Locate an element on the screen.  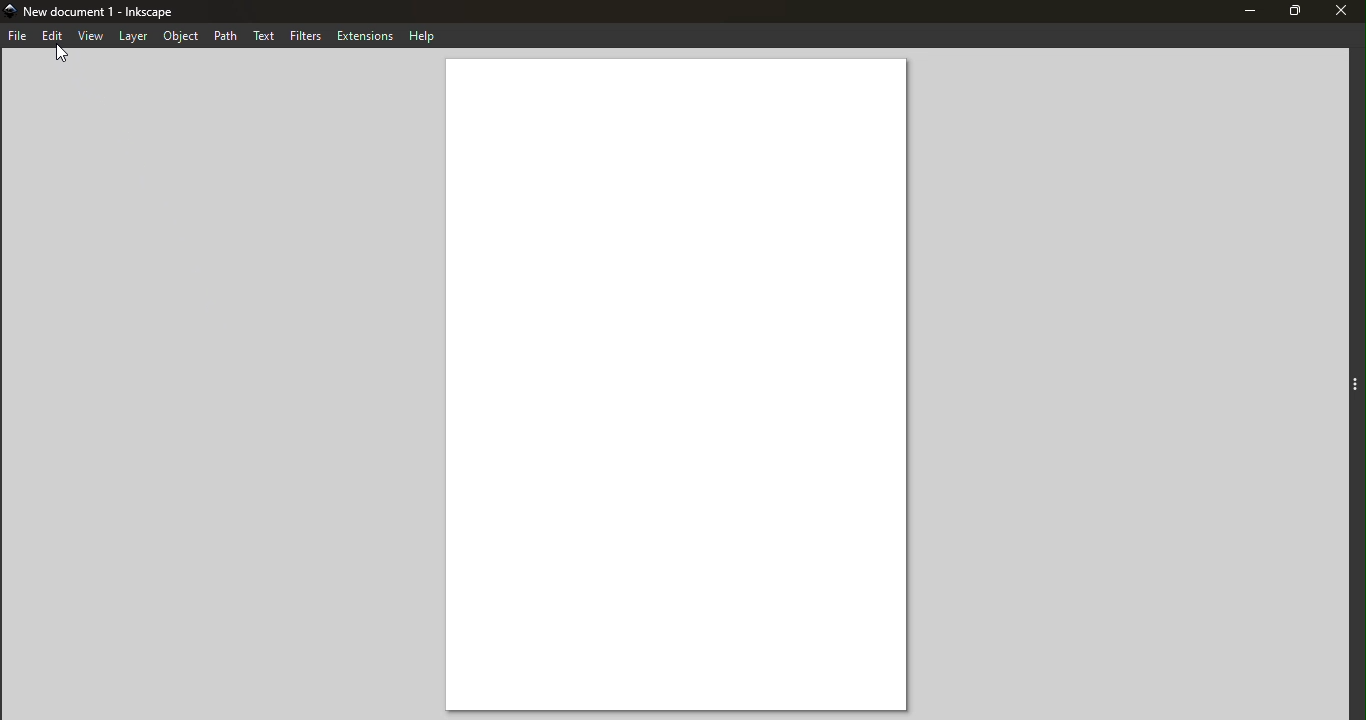
Maximize is located at coordinates (1293, 13).